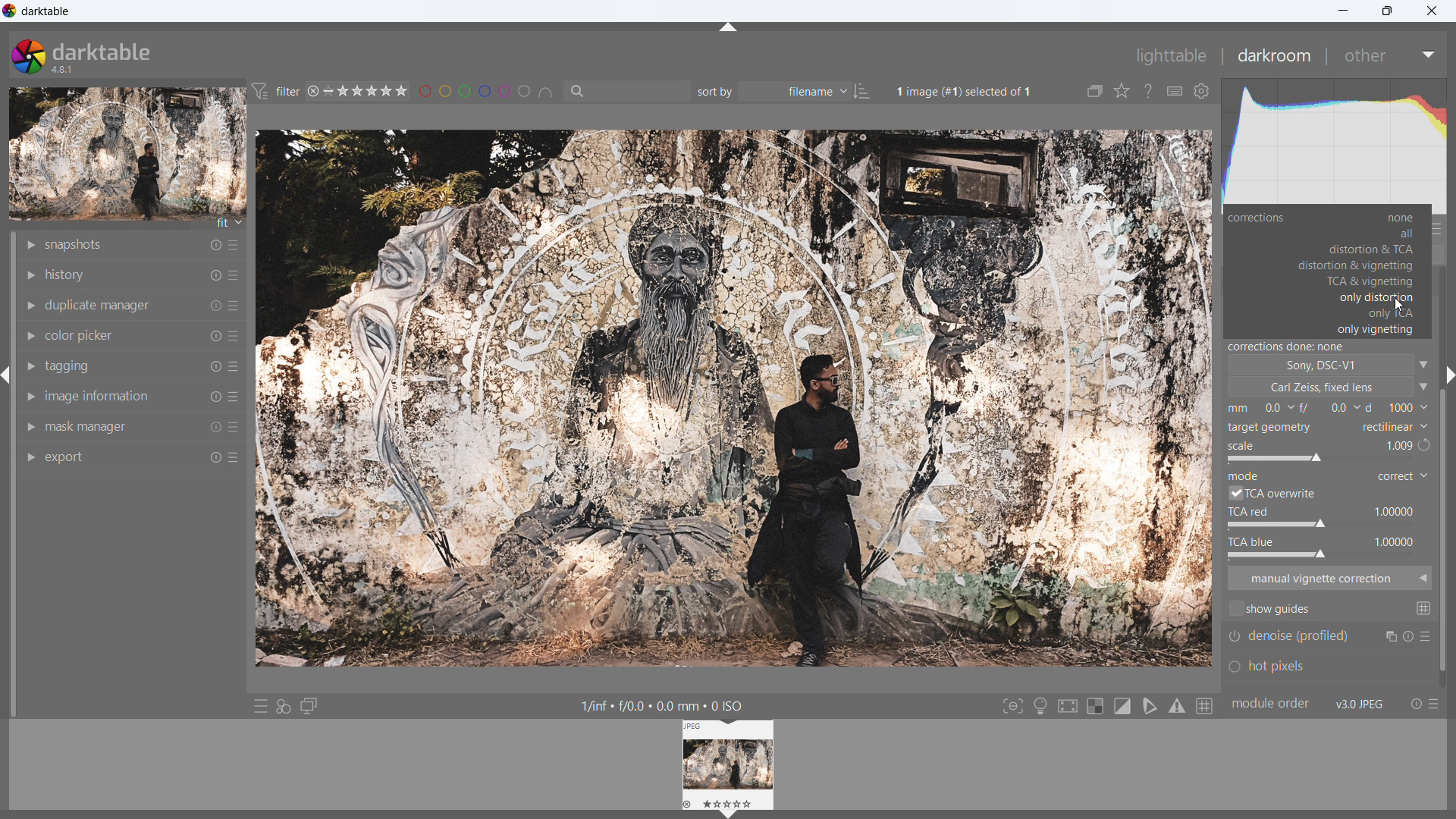 Image resolution: width=1456 pixels, height=819 pixels. What do you see at coordinates (276, 92) in the screenshot?
I see `filter preferences` at bounding box center [276, 92].